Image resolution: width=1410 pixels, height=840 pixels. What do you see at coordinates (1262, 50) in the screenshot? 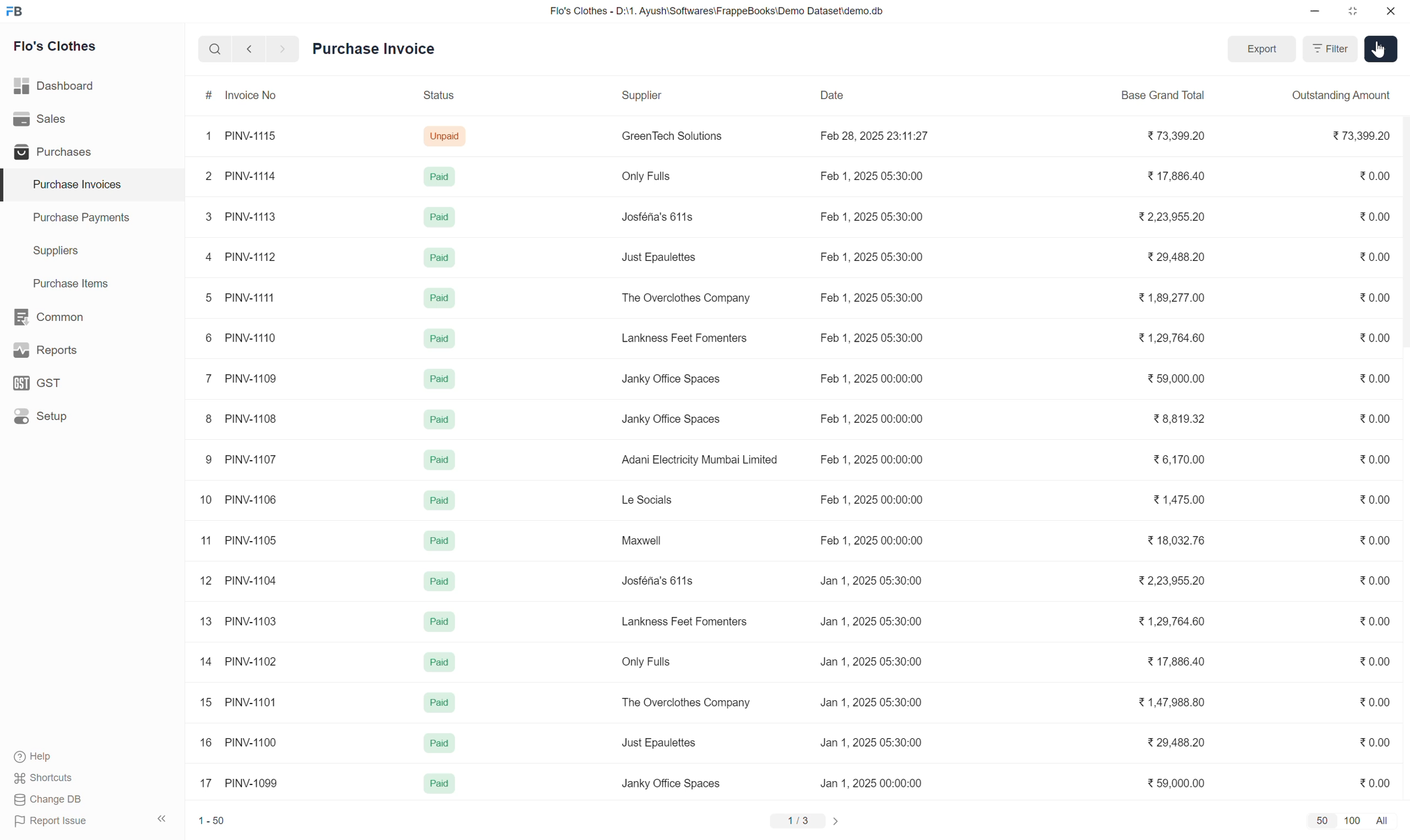
I see `Export` at bounding box center [1262, 50].